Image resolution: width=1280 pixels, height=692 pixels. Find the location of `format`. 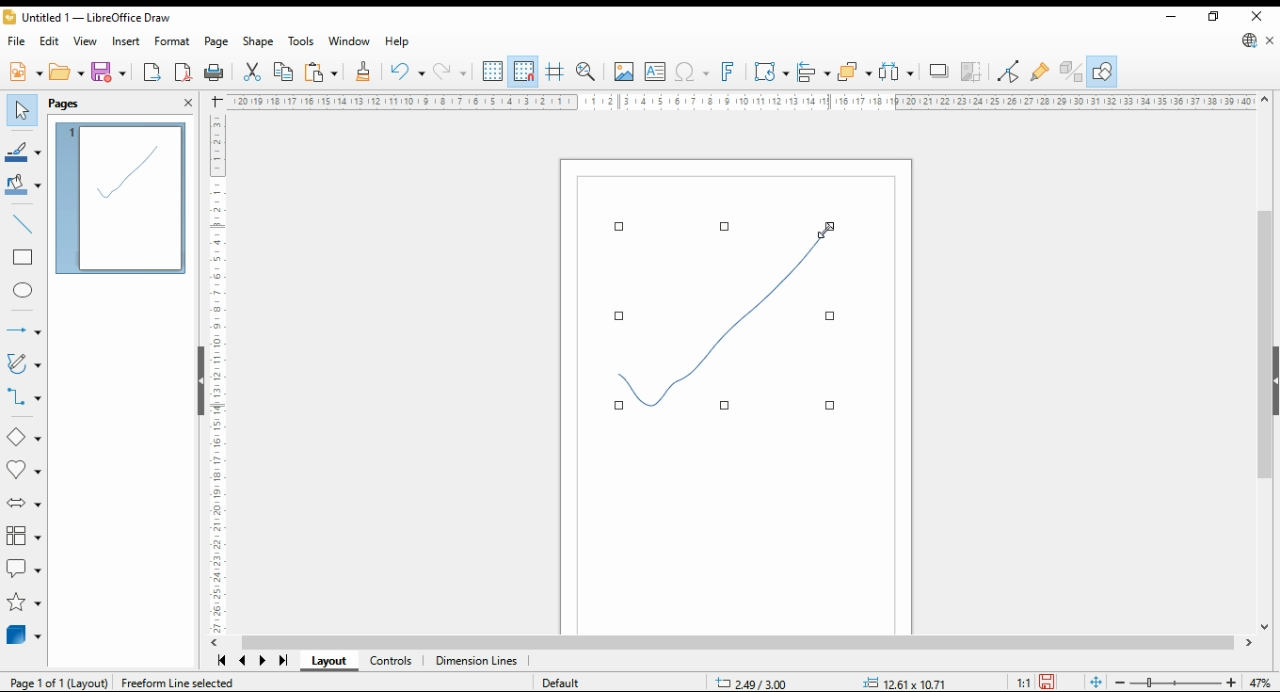

format is located at coordinates (172, 42).